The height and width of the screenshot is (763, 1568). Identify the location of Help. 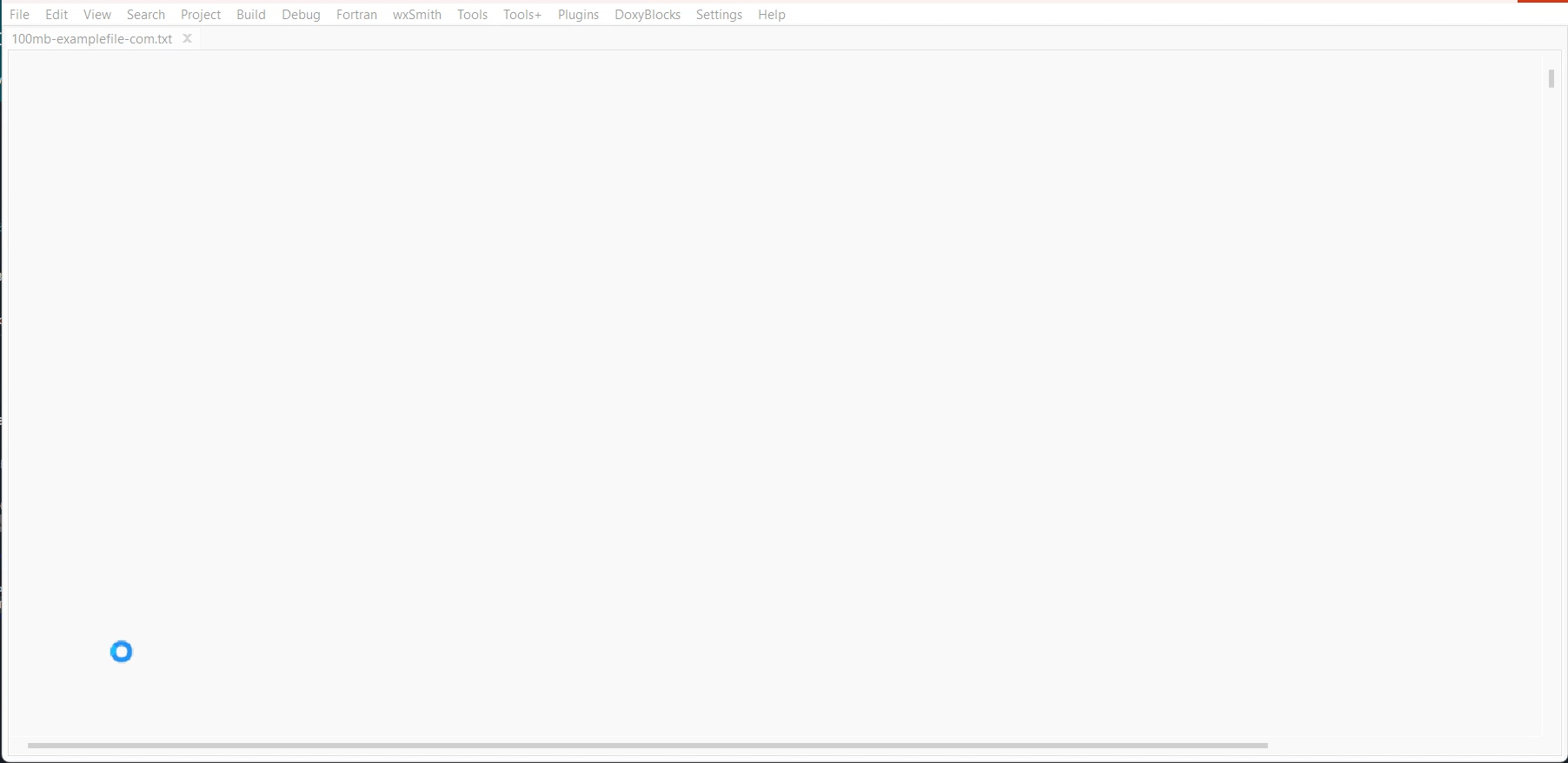
(773, 16).